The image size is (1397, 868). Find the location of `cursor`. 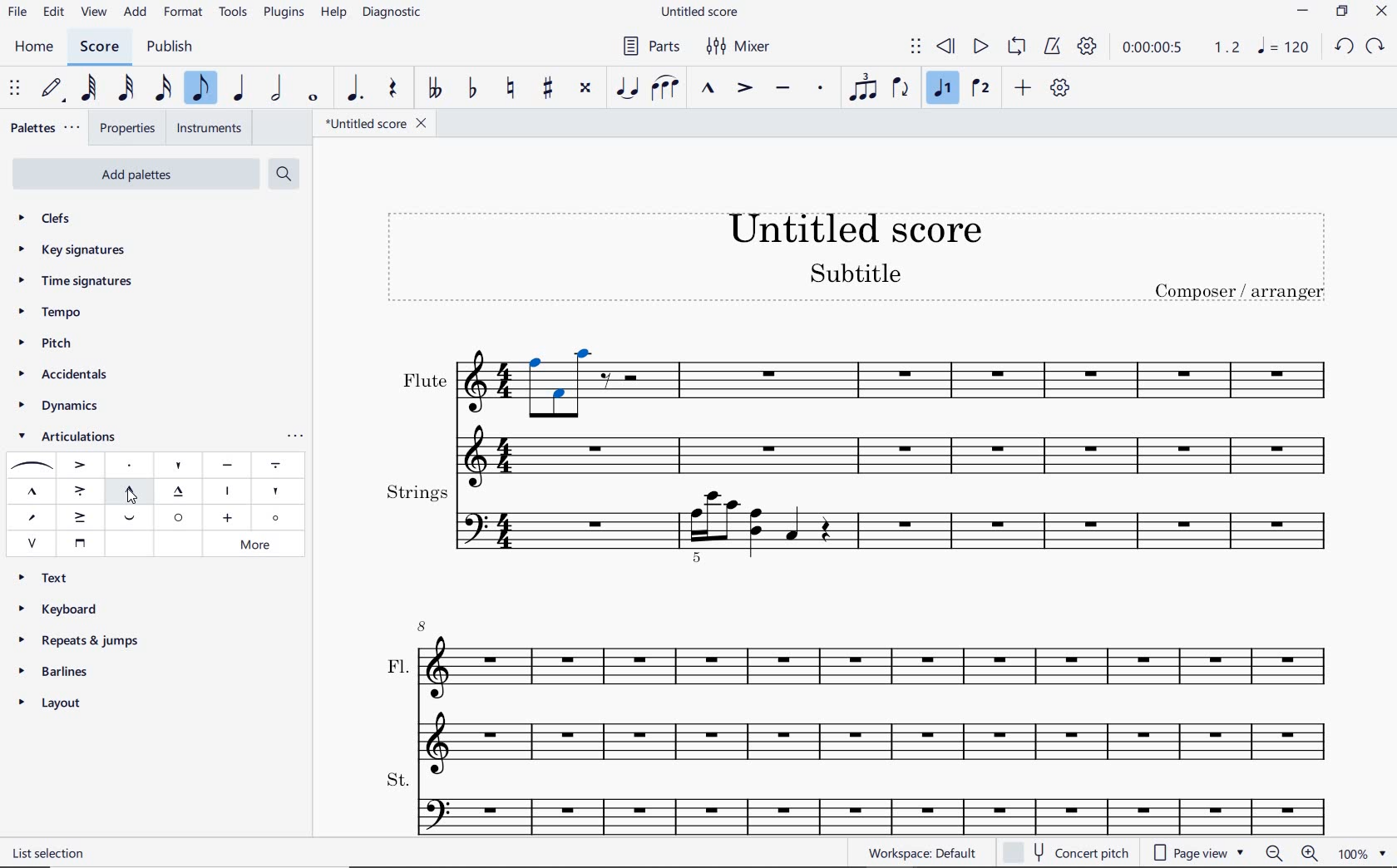

cursor is located at coordinates (128, 501).